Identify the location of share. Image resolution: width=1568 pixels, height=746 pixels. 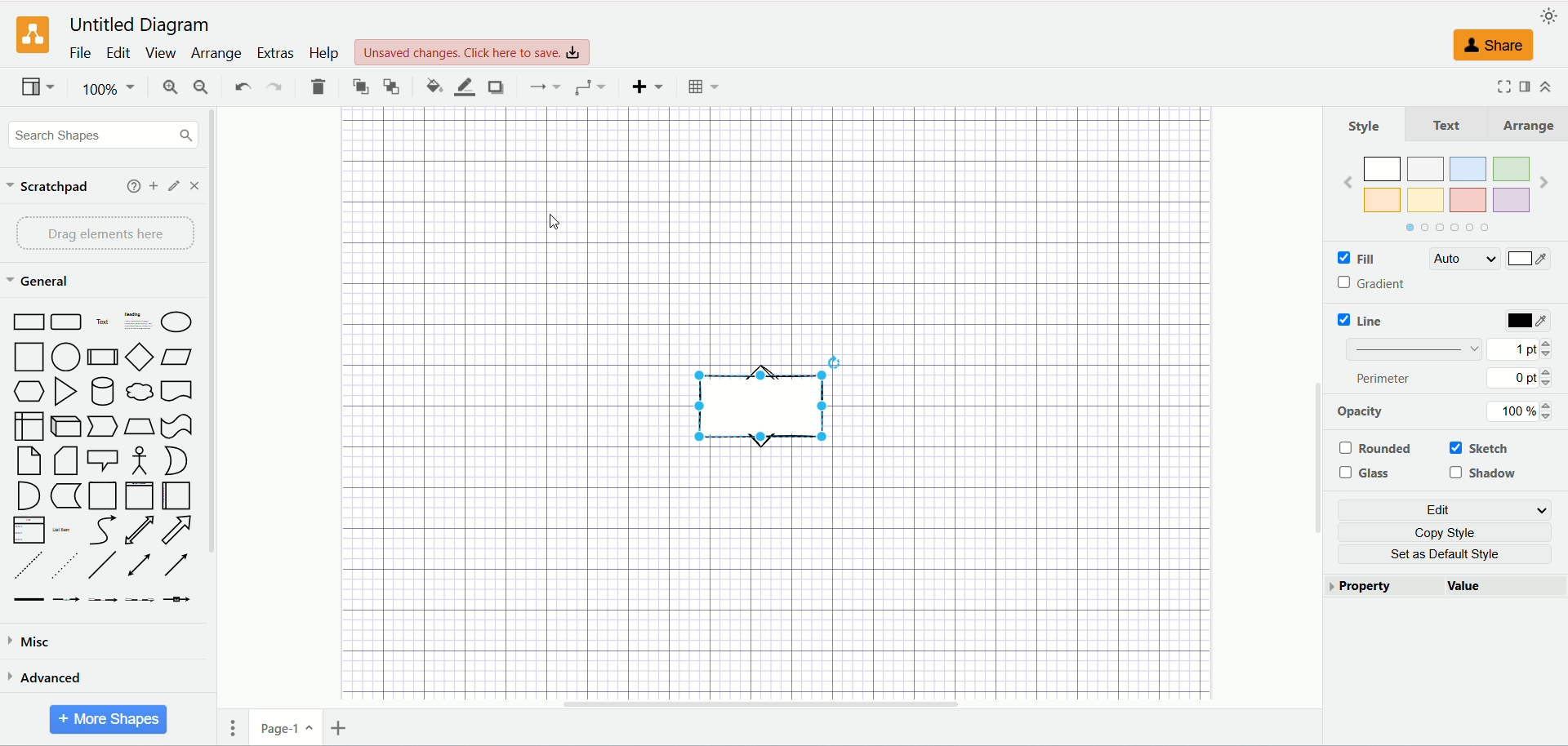
(1494, 45).